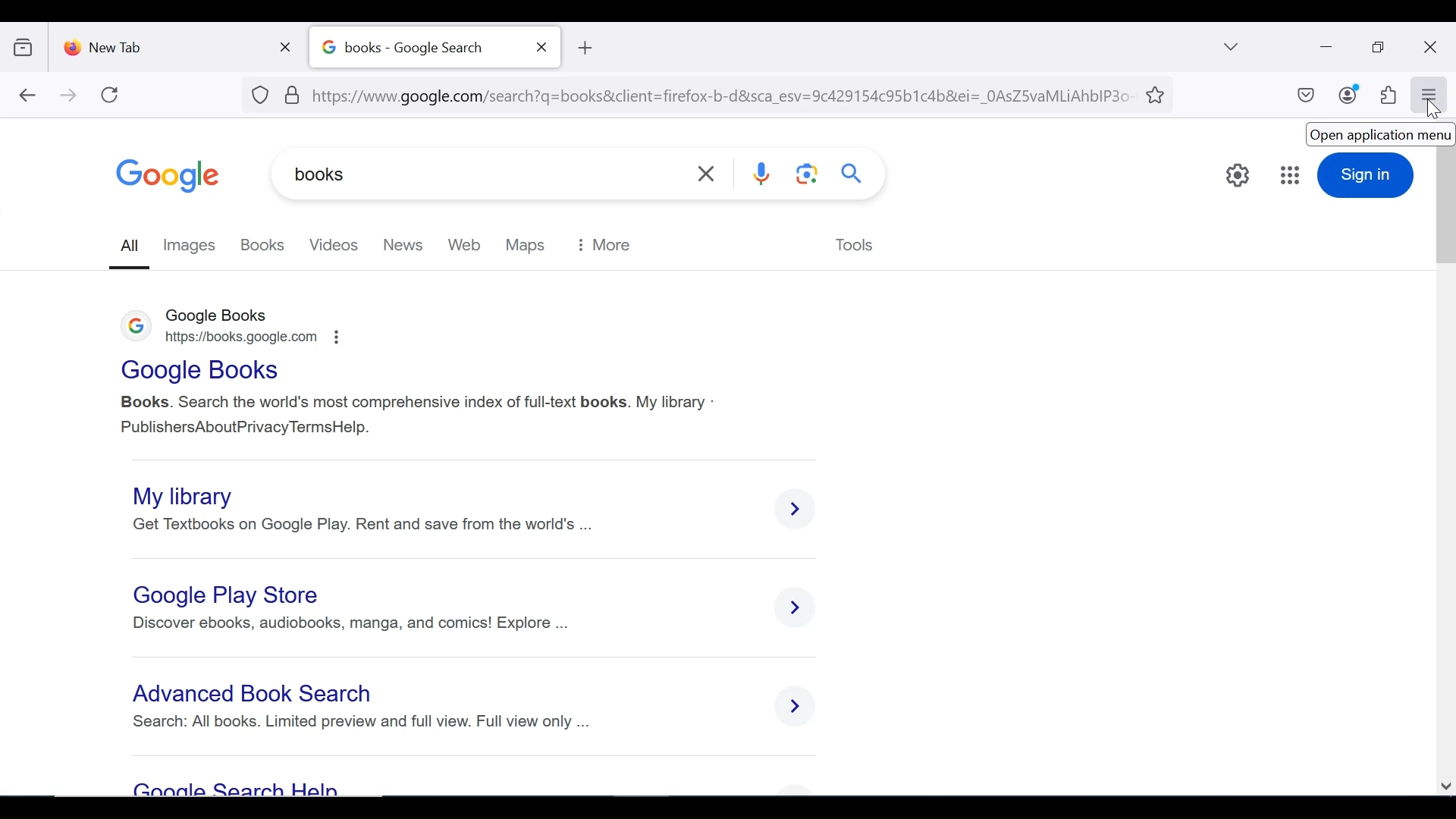 Image resolution: width=1456 pixels, height=819 pixels. I want to click on Discover ebooks, audiobooks, manga, and comics! Explore ..., so click(347, 623).